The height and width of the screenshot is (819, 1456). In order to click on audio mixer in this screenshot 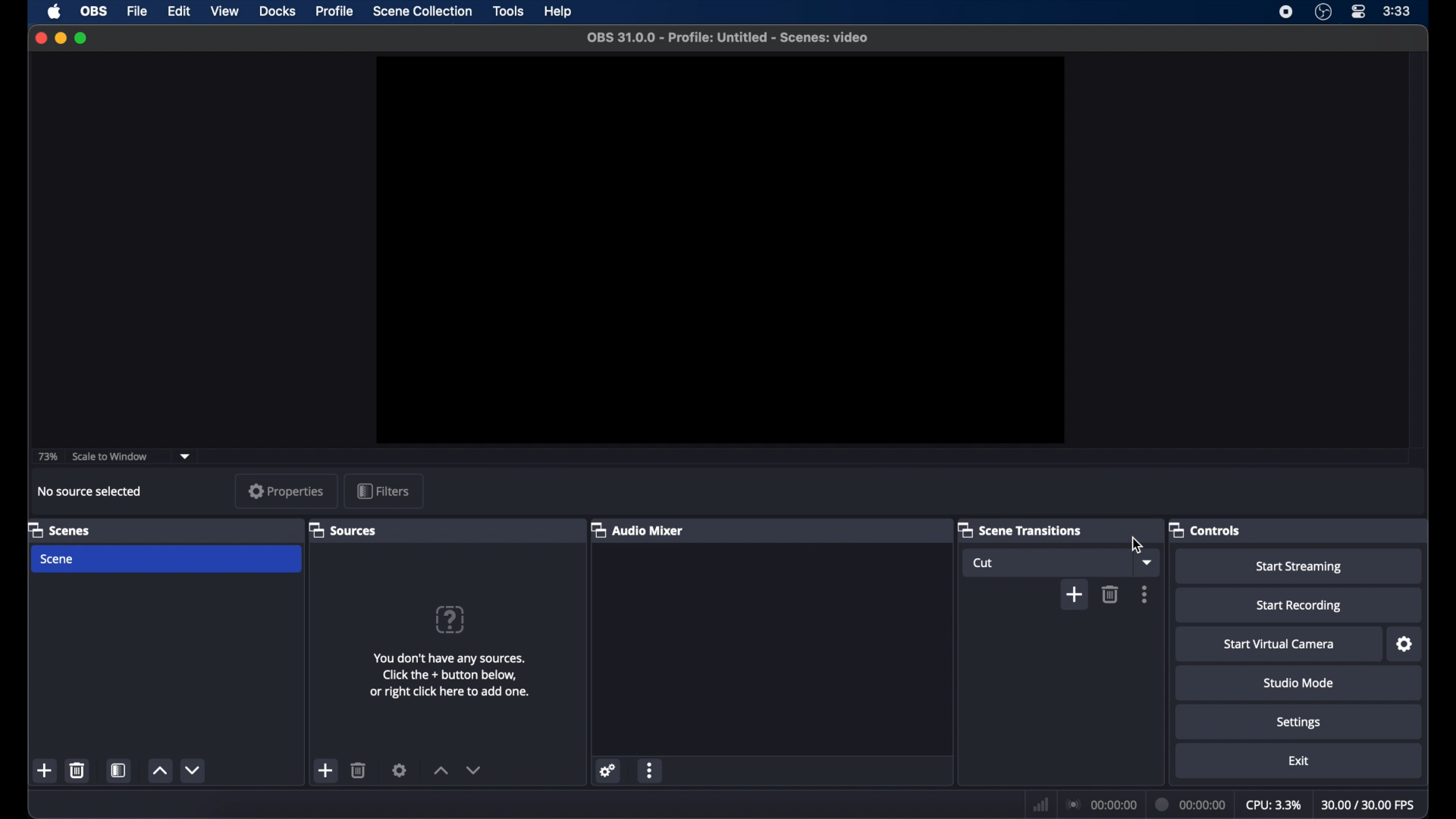, I will do `click(637, 529)`.